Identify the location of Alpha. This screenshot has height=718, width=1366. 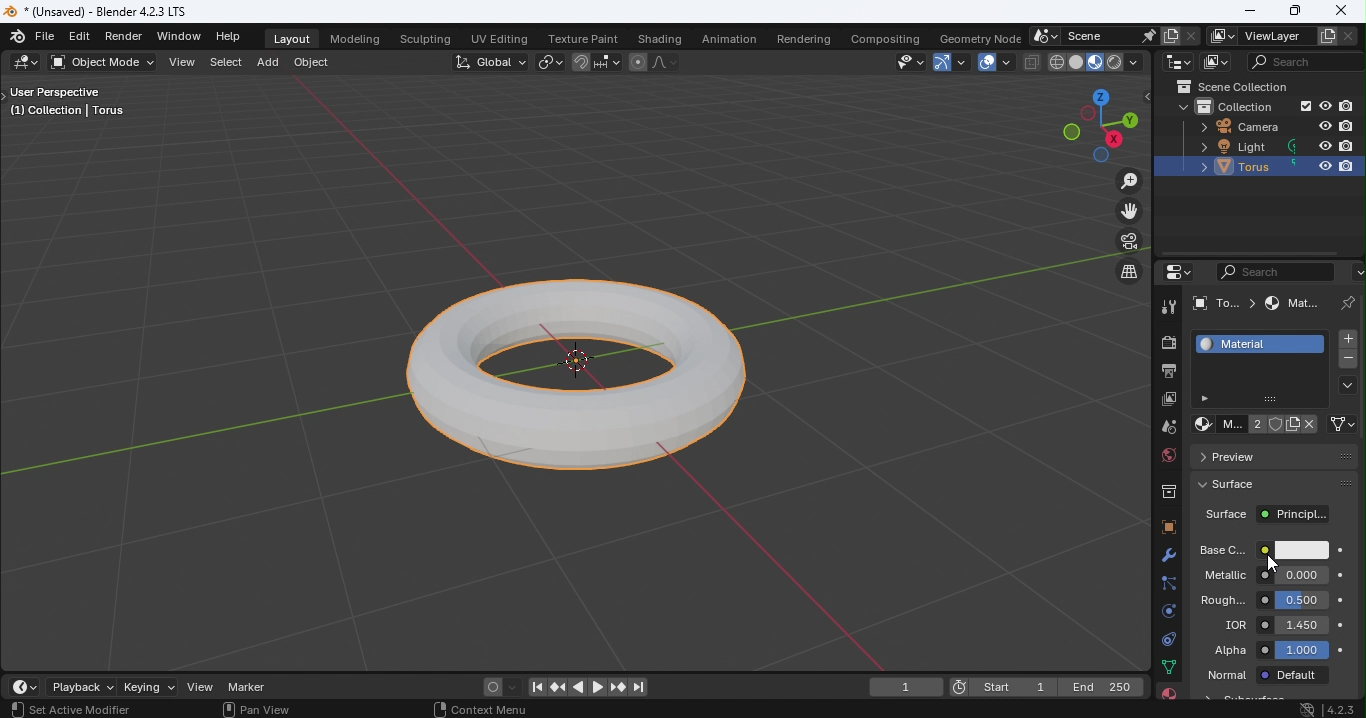
(1266, 651).